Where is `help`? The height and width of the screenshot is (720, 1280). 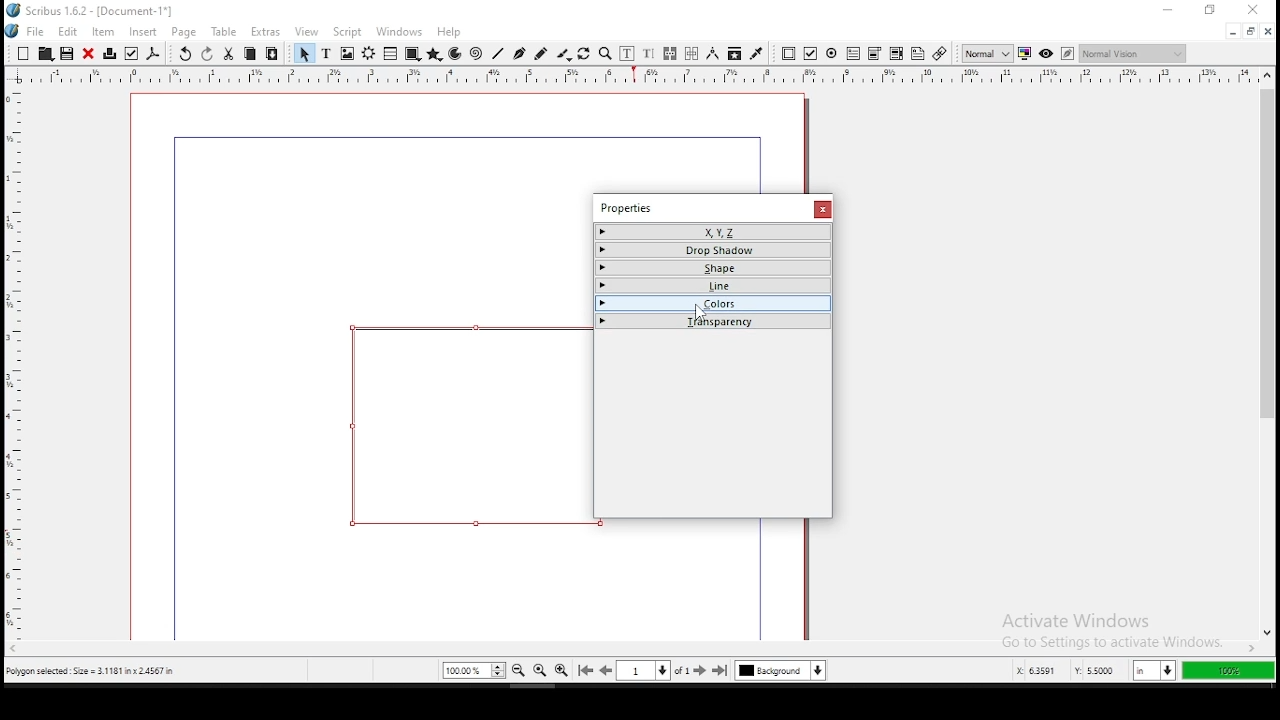 help is located at coordinates (449, 32).